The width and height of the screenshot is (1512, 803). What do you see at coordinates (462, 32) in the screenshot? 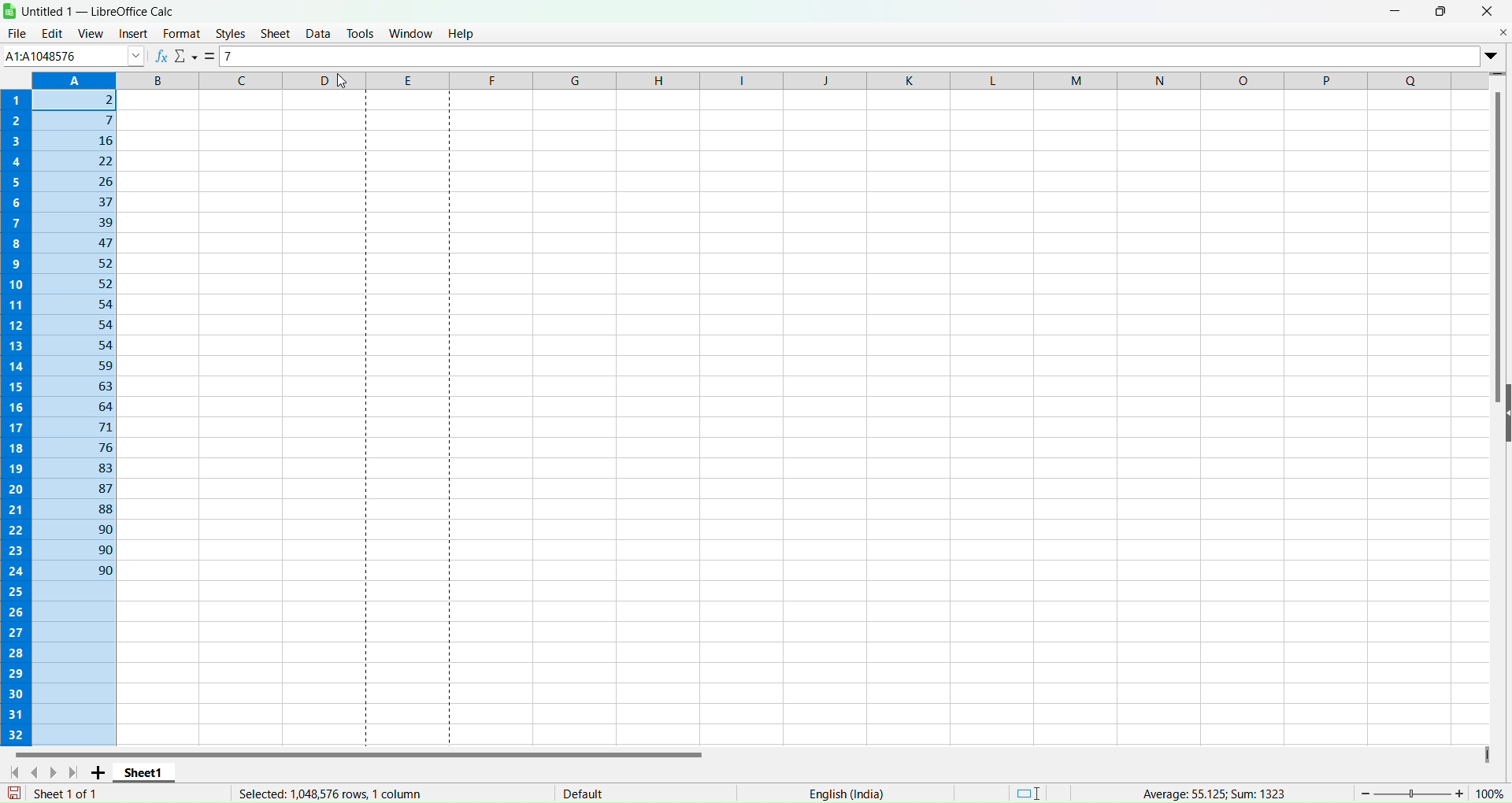
I see `Help` at bounding box center [462, 32].